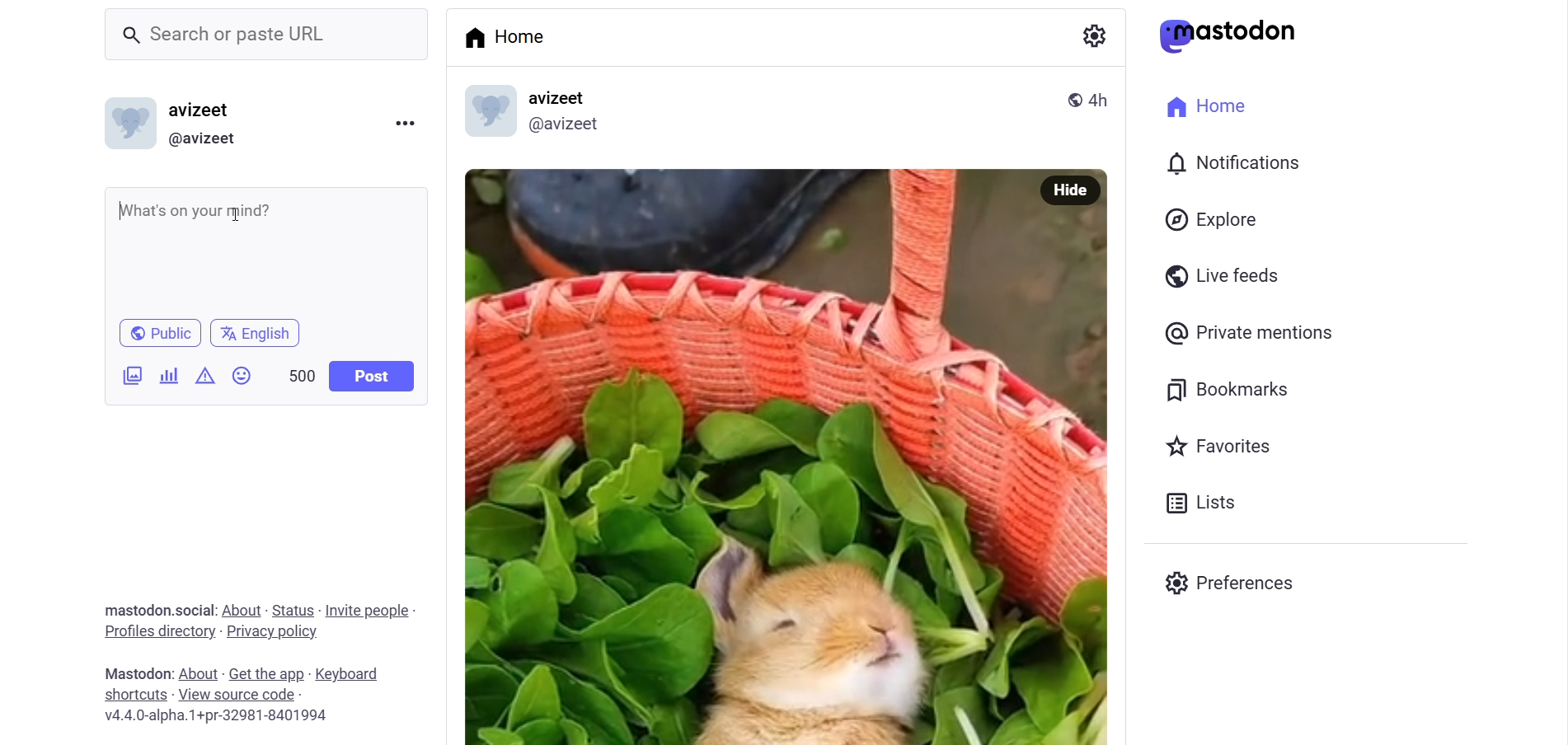  Describe the element at coordinates (1235, 160) in the screenshot. I see `Notification` at that location.